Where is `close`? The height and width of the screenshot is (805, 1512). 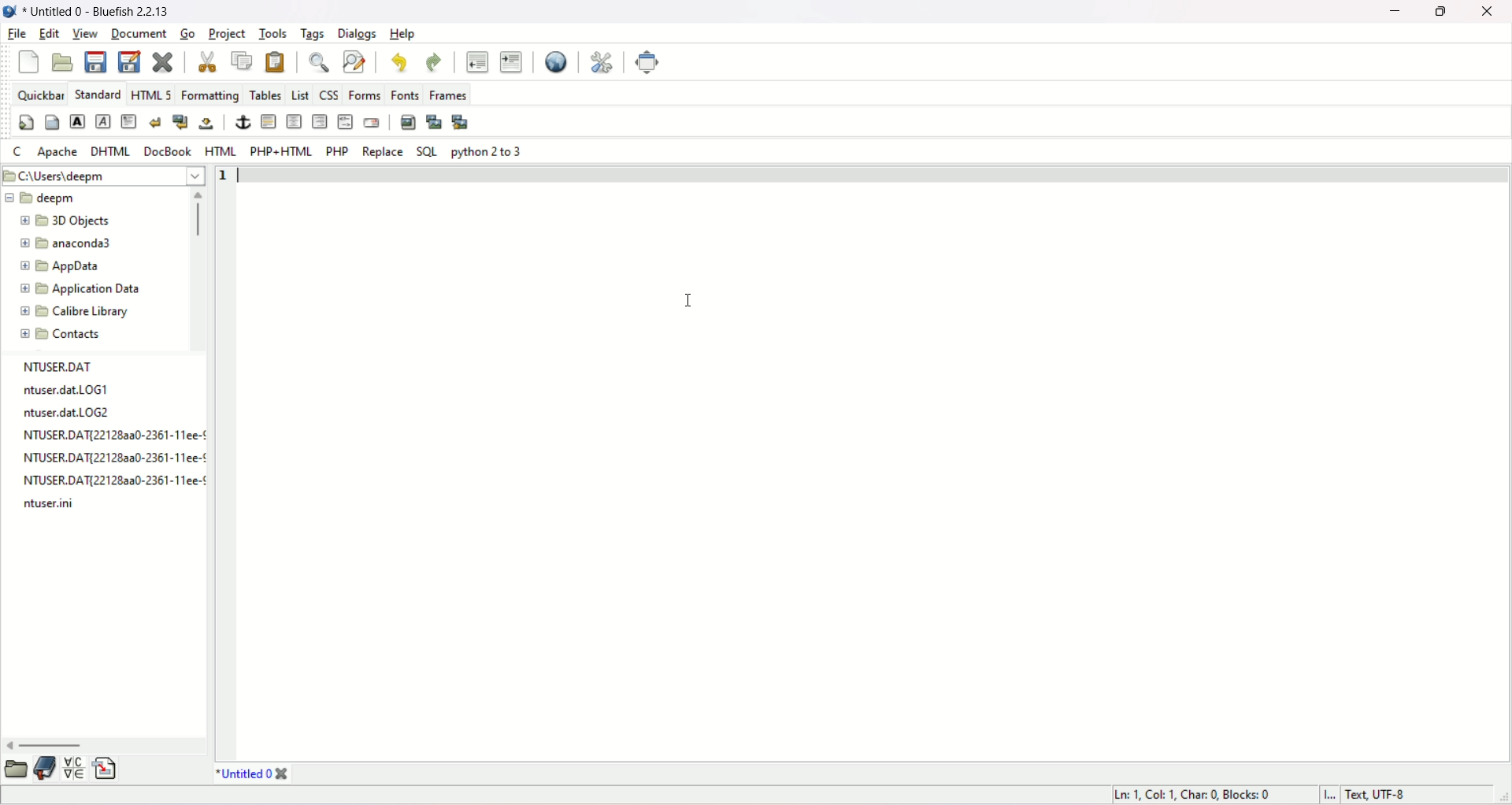
close is located at coordinates (282, 772).